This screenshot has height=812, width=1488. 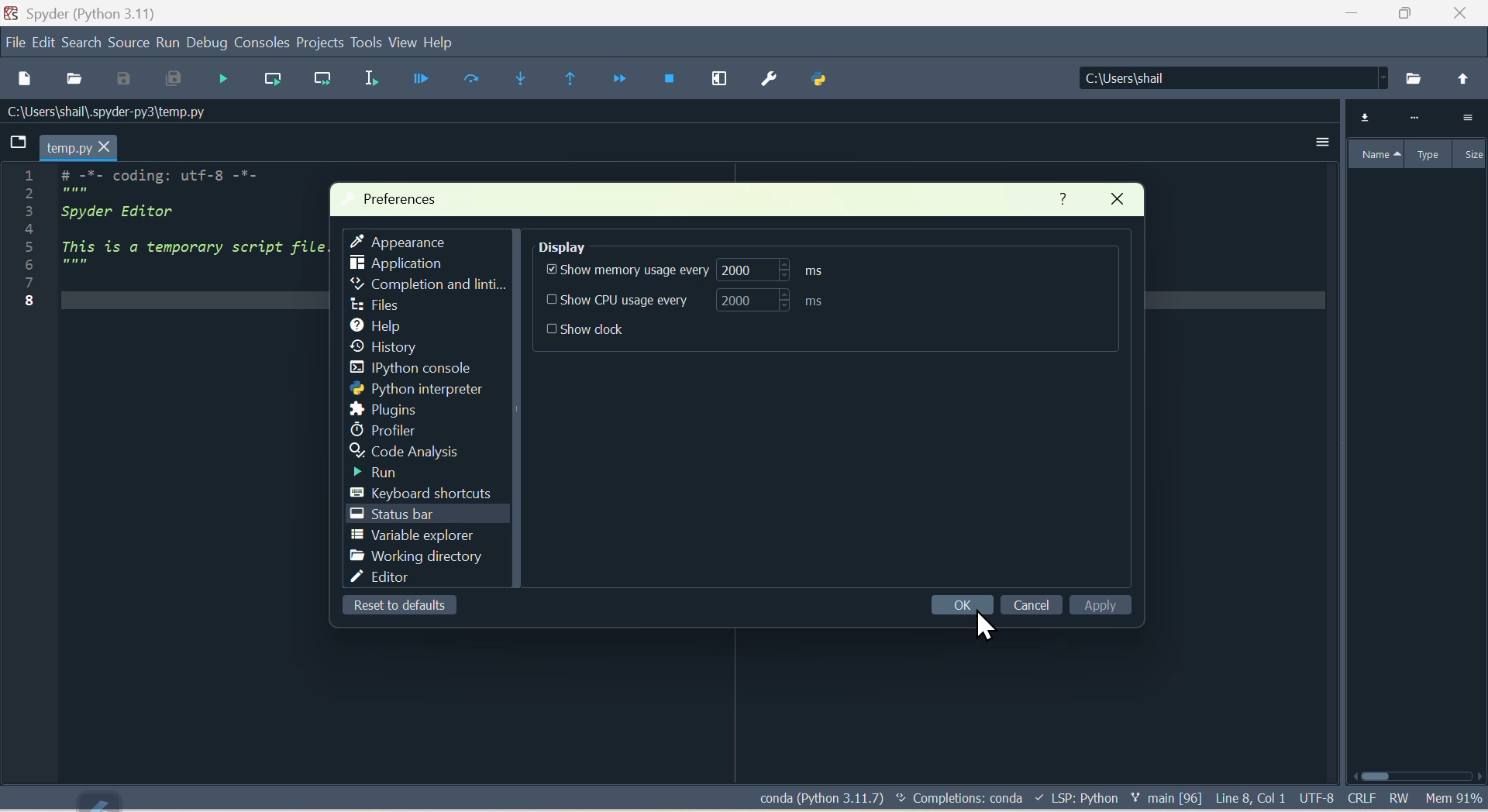 I want to click on Run cell, so click(x=472, y=83).